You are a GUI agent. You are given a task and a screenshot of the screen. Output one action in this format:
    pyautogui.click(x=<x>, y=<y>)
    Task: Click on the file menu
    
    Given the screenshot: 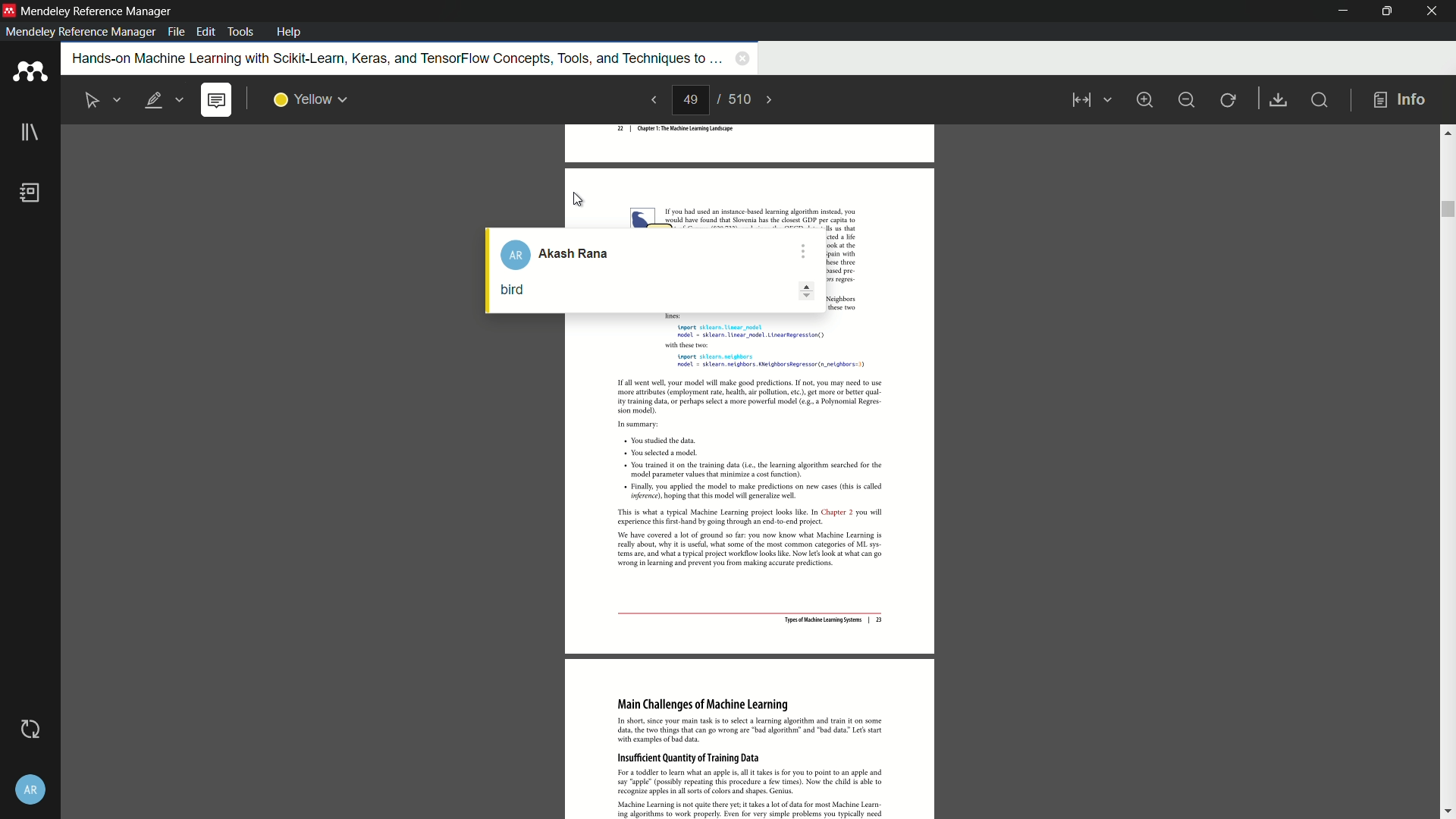 What is the action you would take?
    pyautogui.click(x=174, y=33)
    